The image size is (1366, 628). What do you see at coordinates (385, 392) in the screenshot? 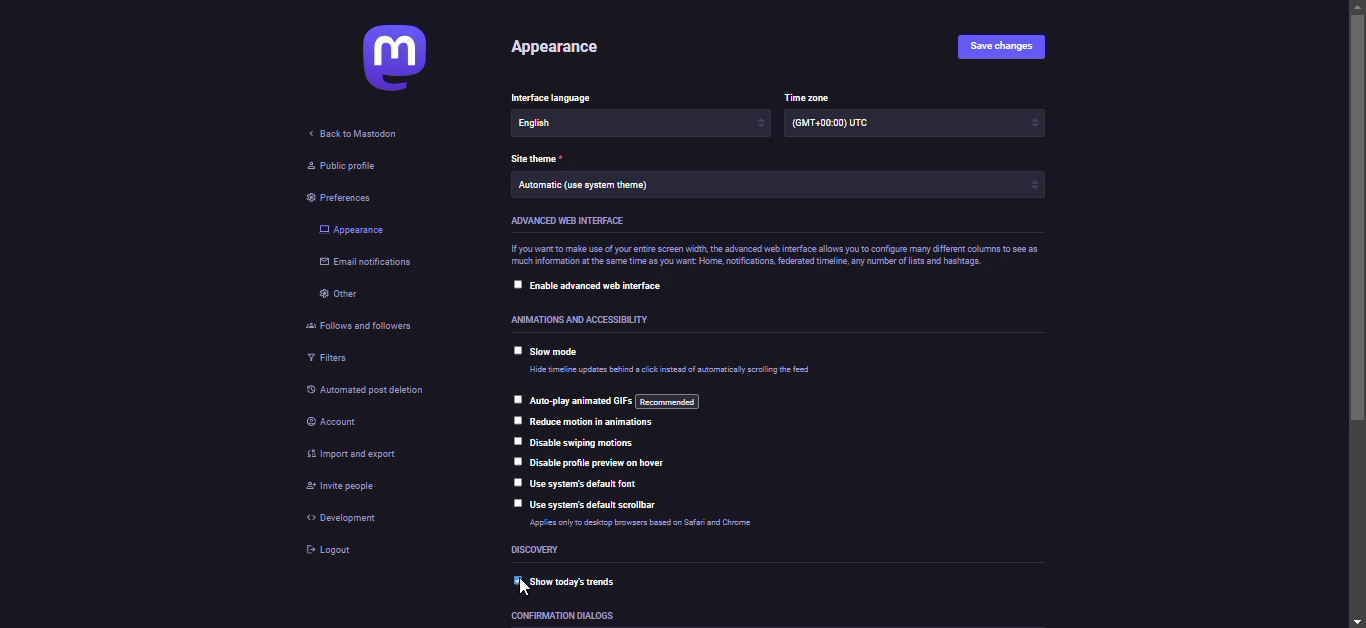
I see `automated post deletion` at bounding box center [385, 392].